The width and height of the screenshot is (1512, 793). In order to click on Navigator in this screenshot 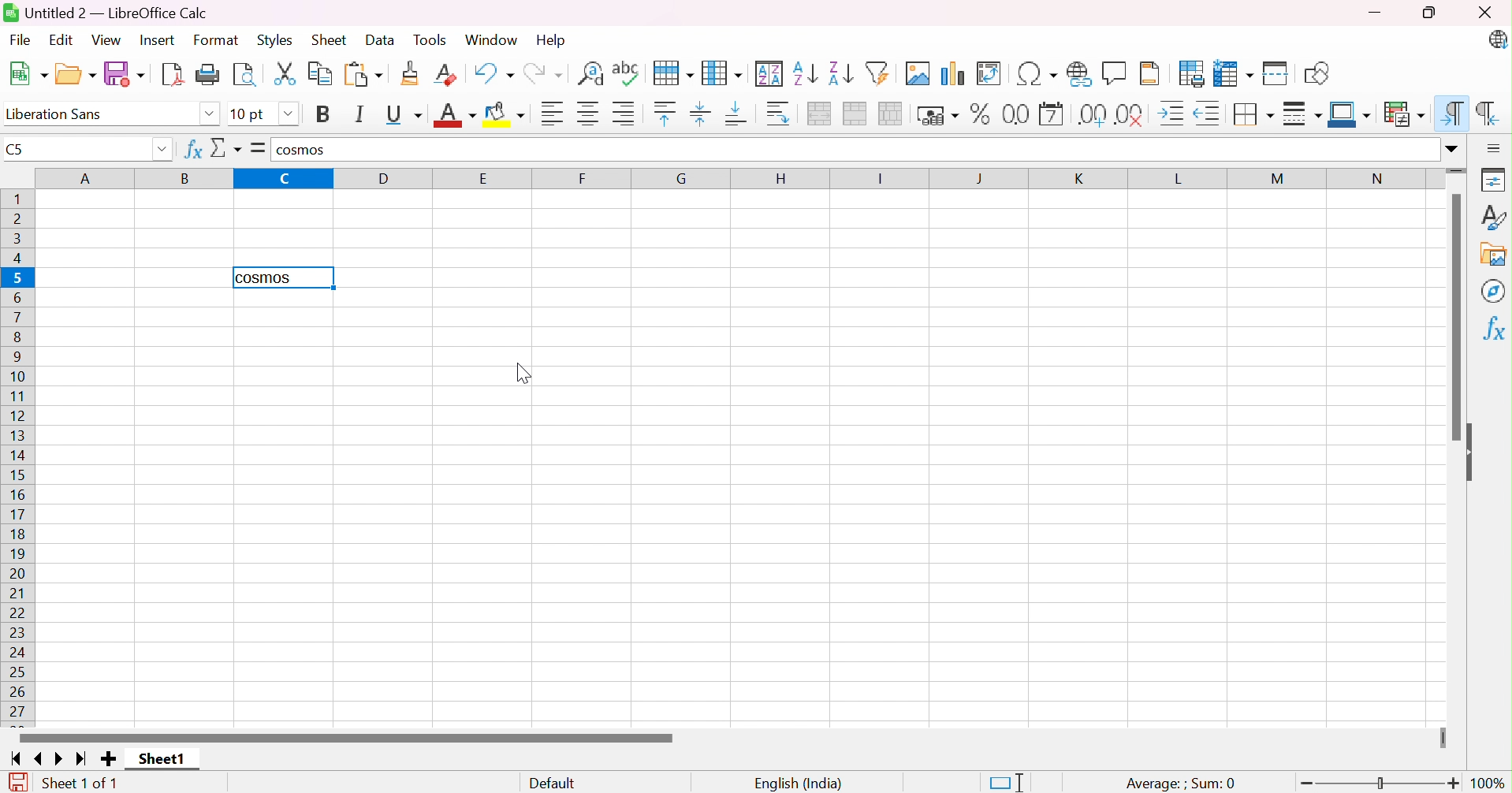, I will do `click(1496, 289)`.